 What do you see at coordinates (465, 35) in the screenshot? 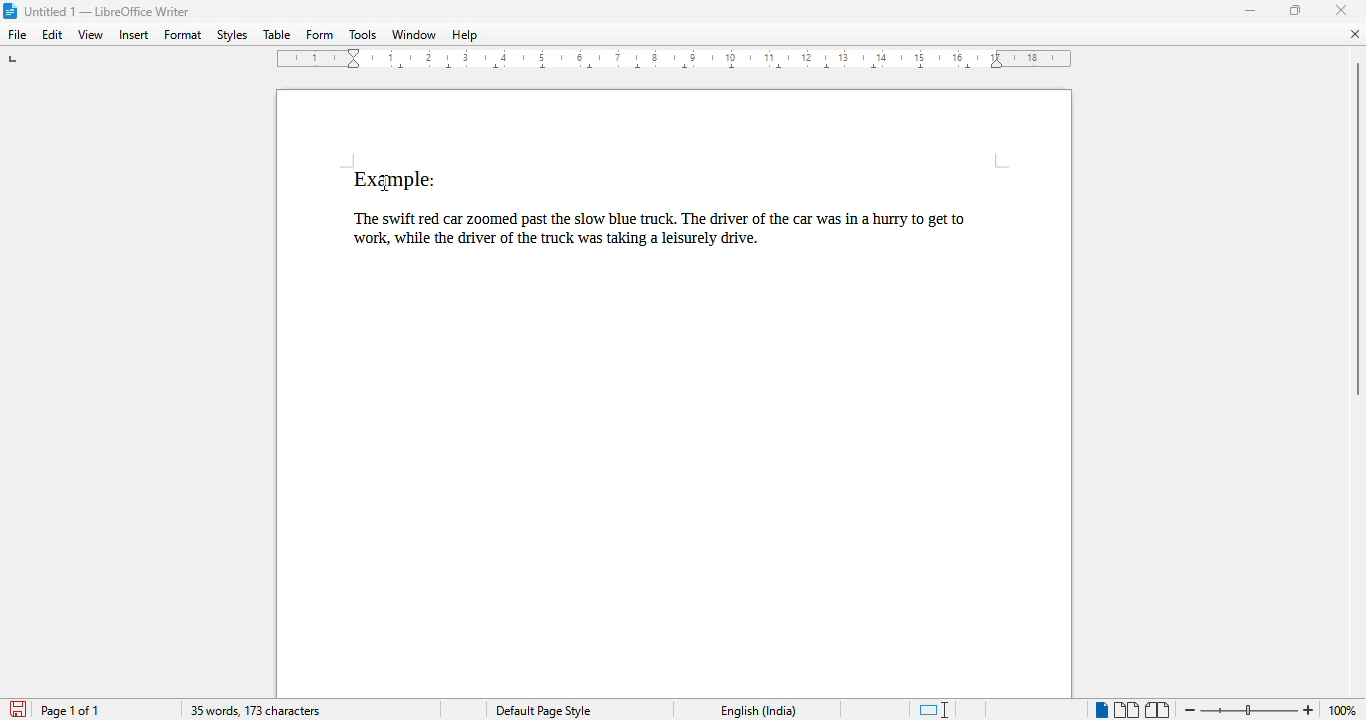
I see `help` at bounding box center [465, 35].